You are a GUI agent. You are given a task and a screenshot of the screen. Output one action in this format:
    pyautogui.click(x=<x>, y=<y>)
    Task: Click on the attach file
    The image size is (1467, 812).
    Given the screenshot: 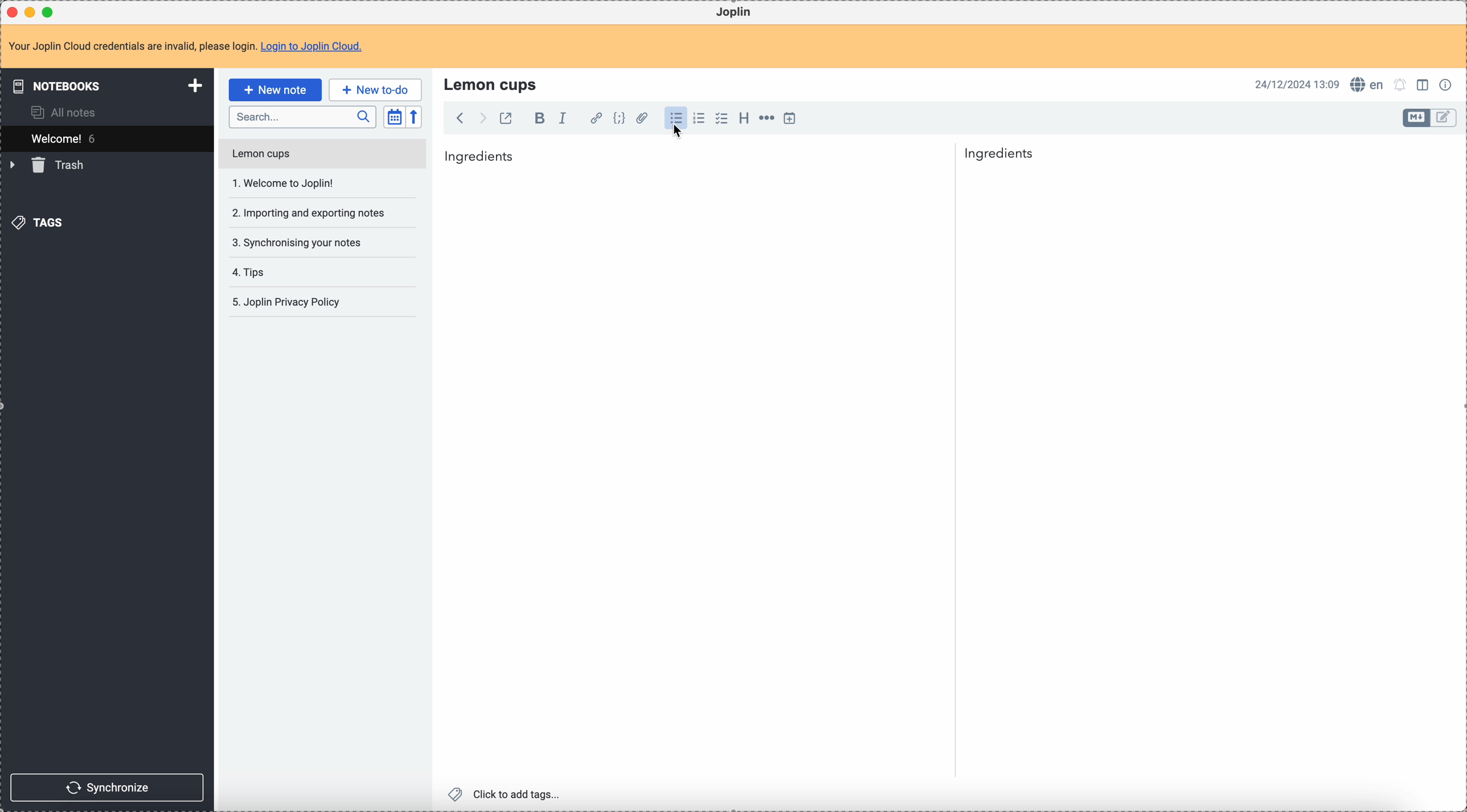 What is the action you would take?
    pyautogui.click(x=640, y=119)
    